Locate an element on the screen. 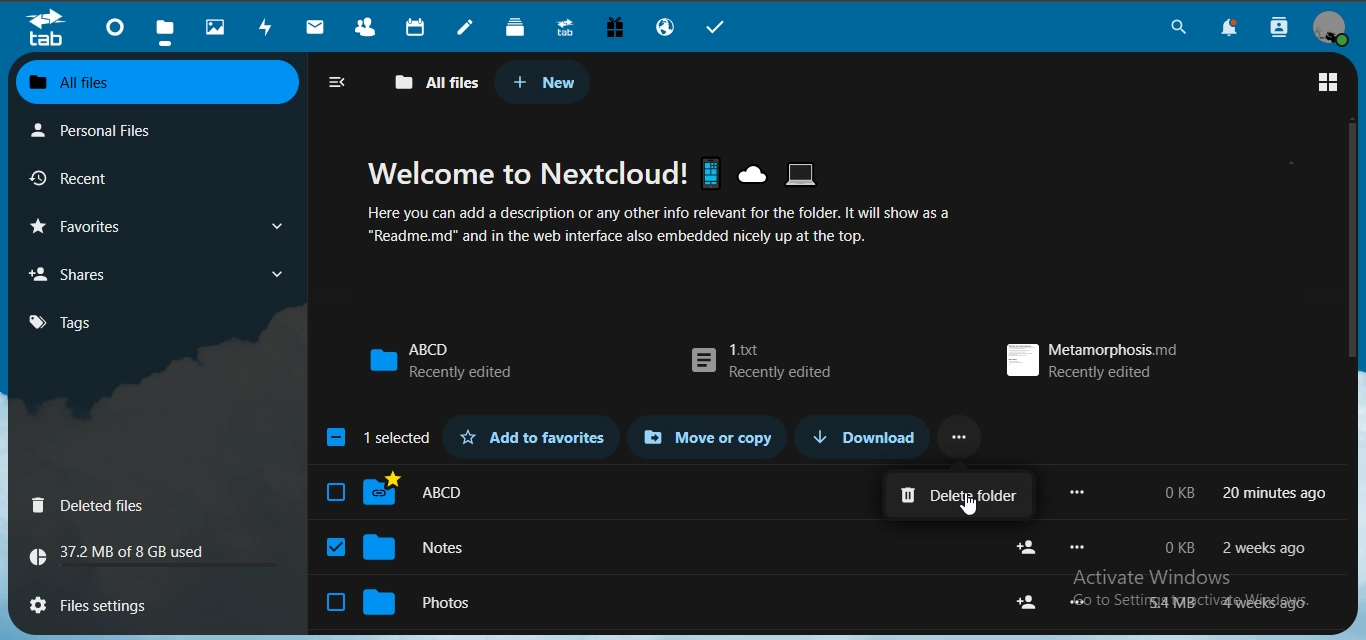  delete folder is located at coordinates (961, 496).